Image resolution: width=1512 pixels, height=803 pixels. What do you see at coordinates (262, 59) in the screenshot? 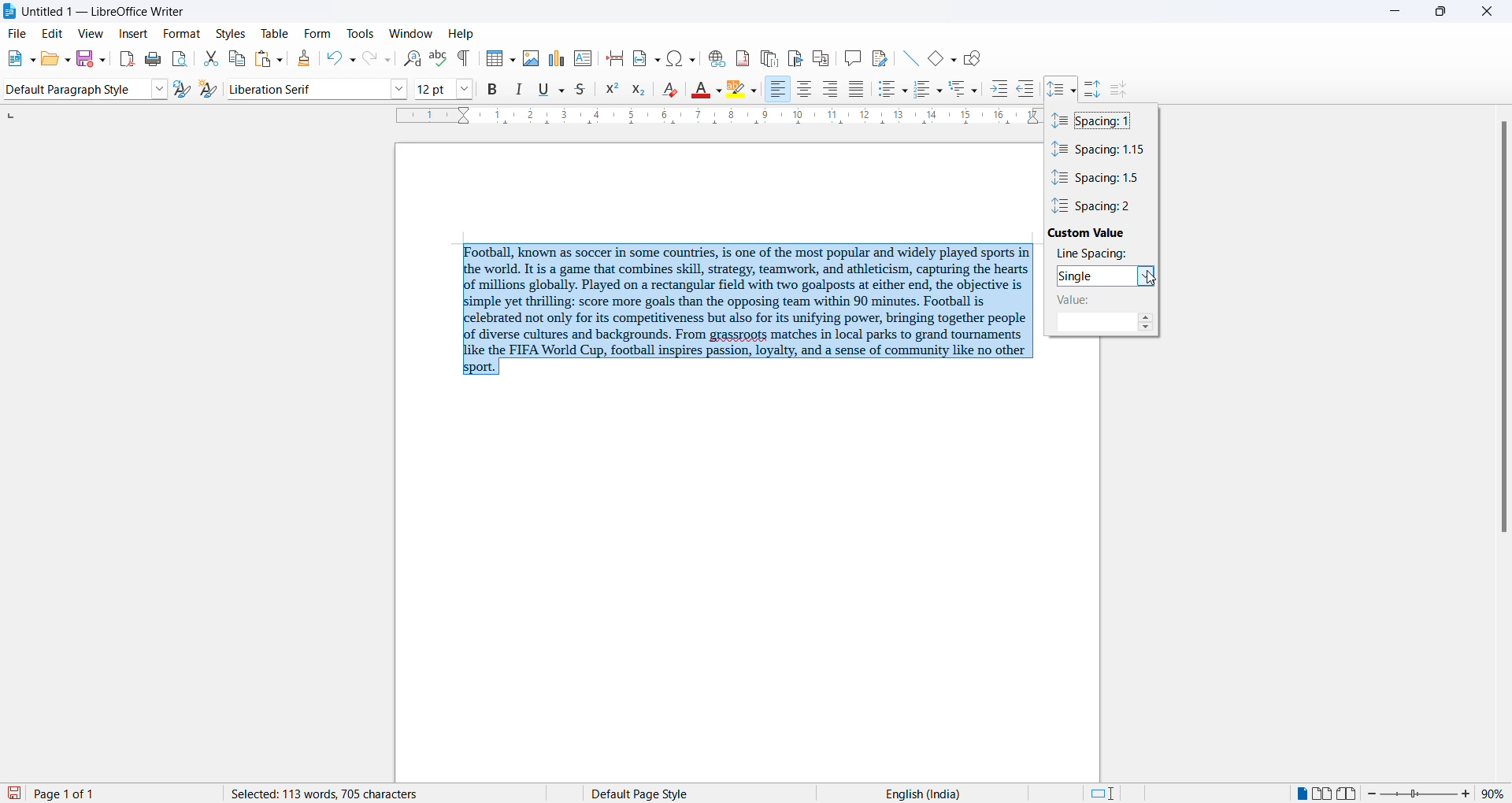
I see `paste` at bounding box center [262, 59].